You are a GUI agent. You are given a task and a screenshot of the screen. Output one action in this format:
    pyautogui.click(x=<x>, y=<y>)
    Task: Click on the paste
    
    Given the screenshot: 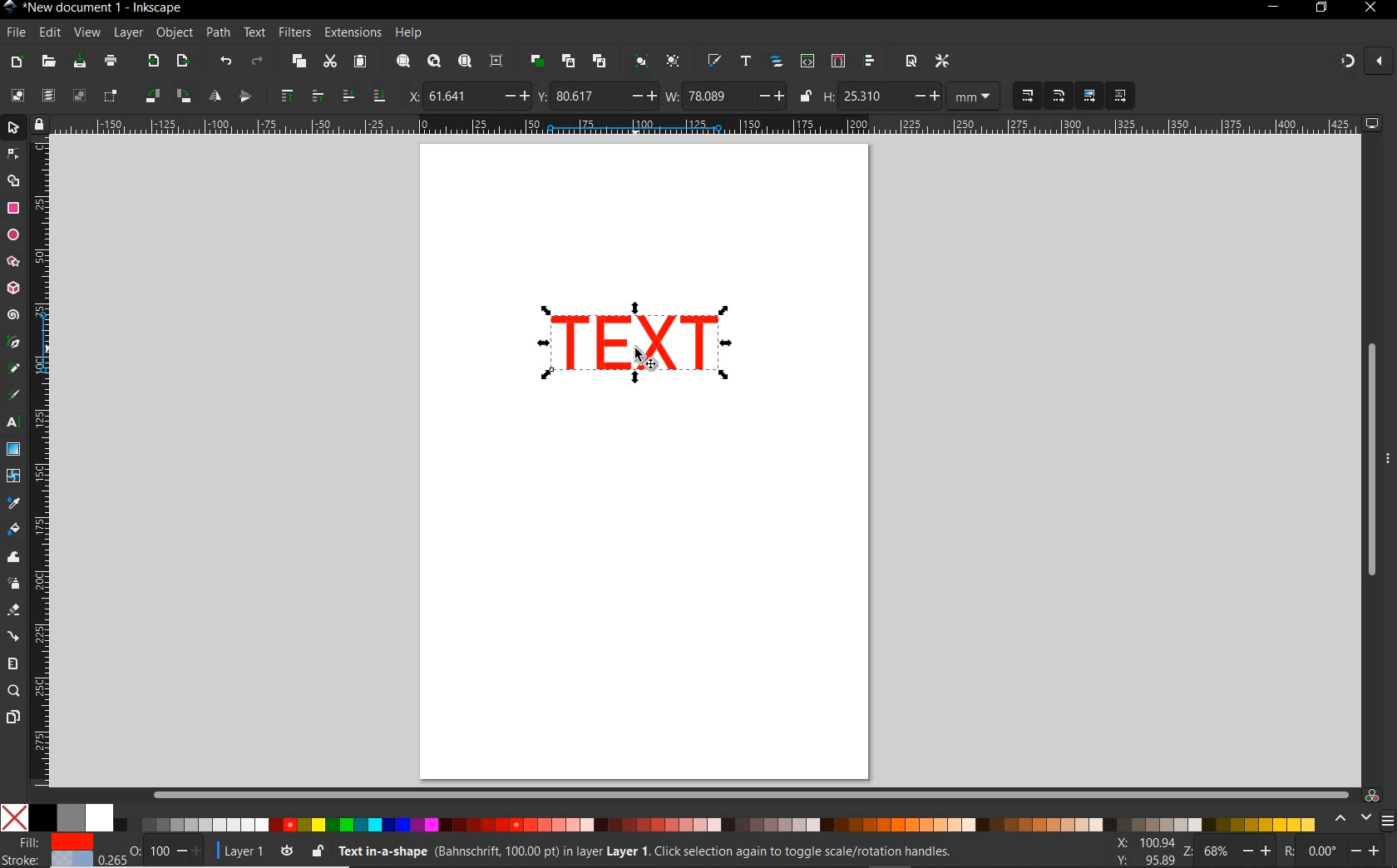 What is the action you would take?
    pyautogui.click(x=359, y=62)
    